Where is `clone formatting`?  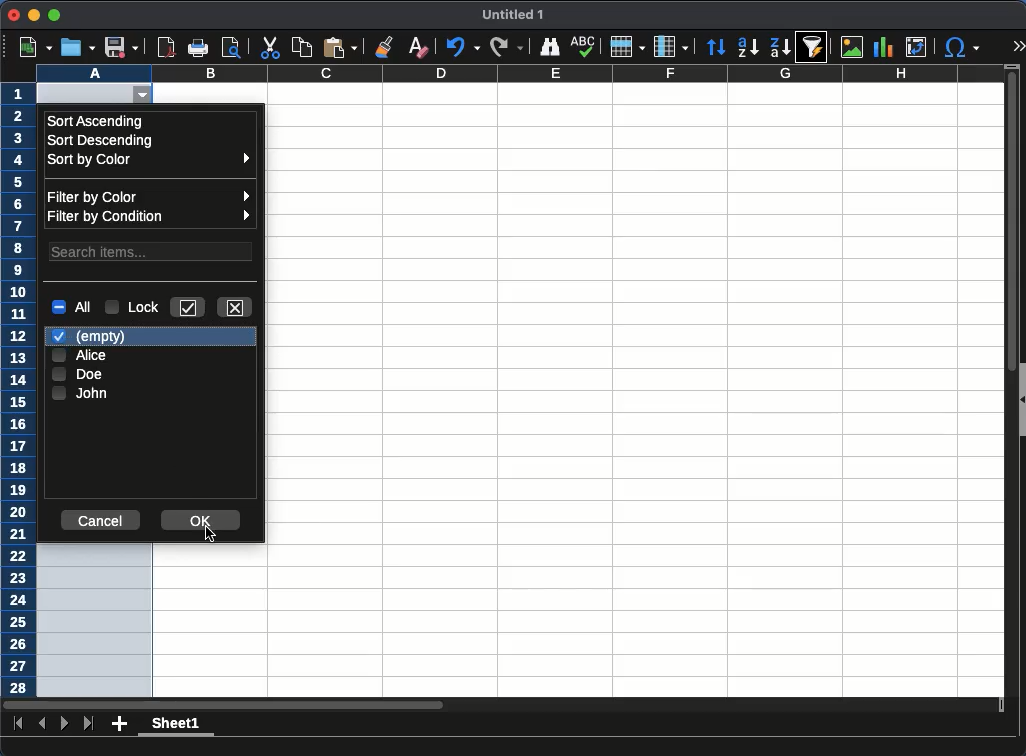 clone formatting is located at coordinates (387, 46).